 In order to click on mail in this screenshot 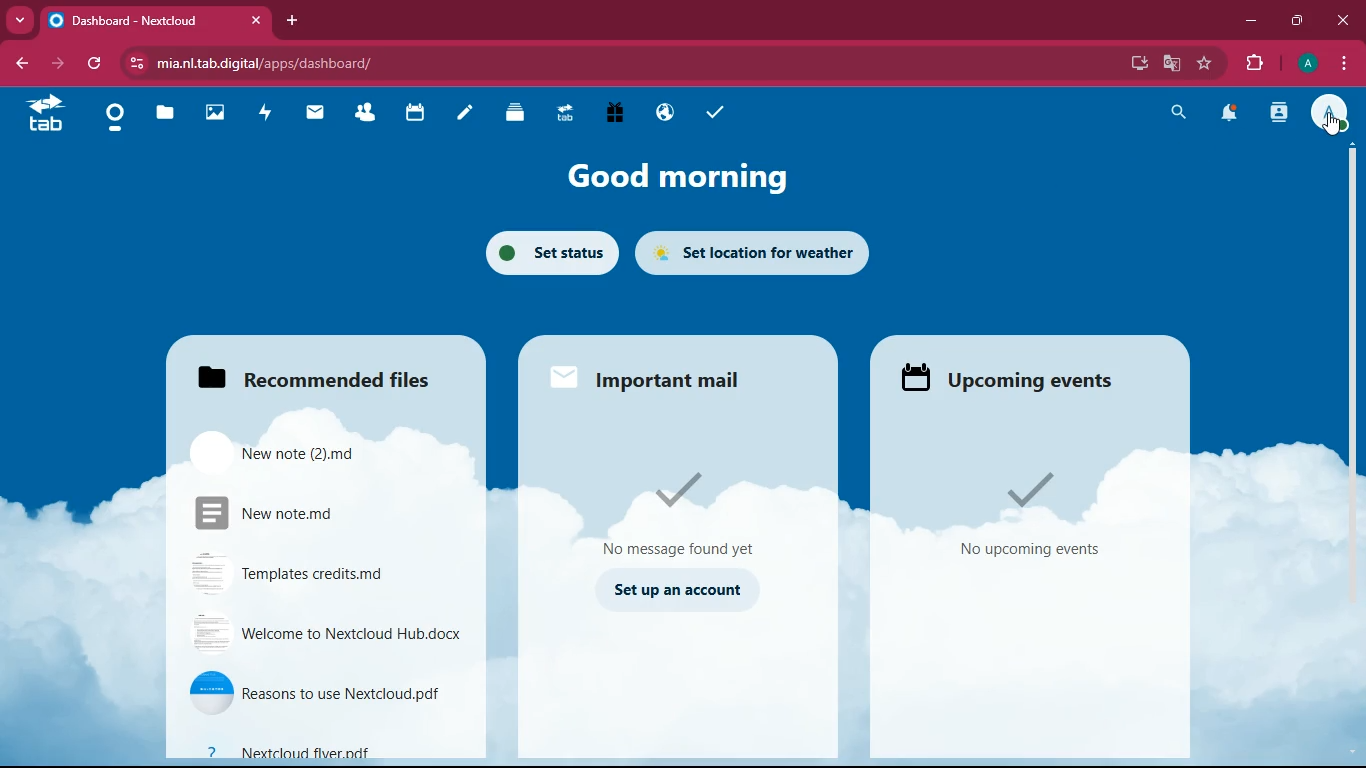, I will do `click(312, 115)`.